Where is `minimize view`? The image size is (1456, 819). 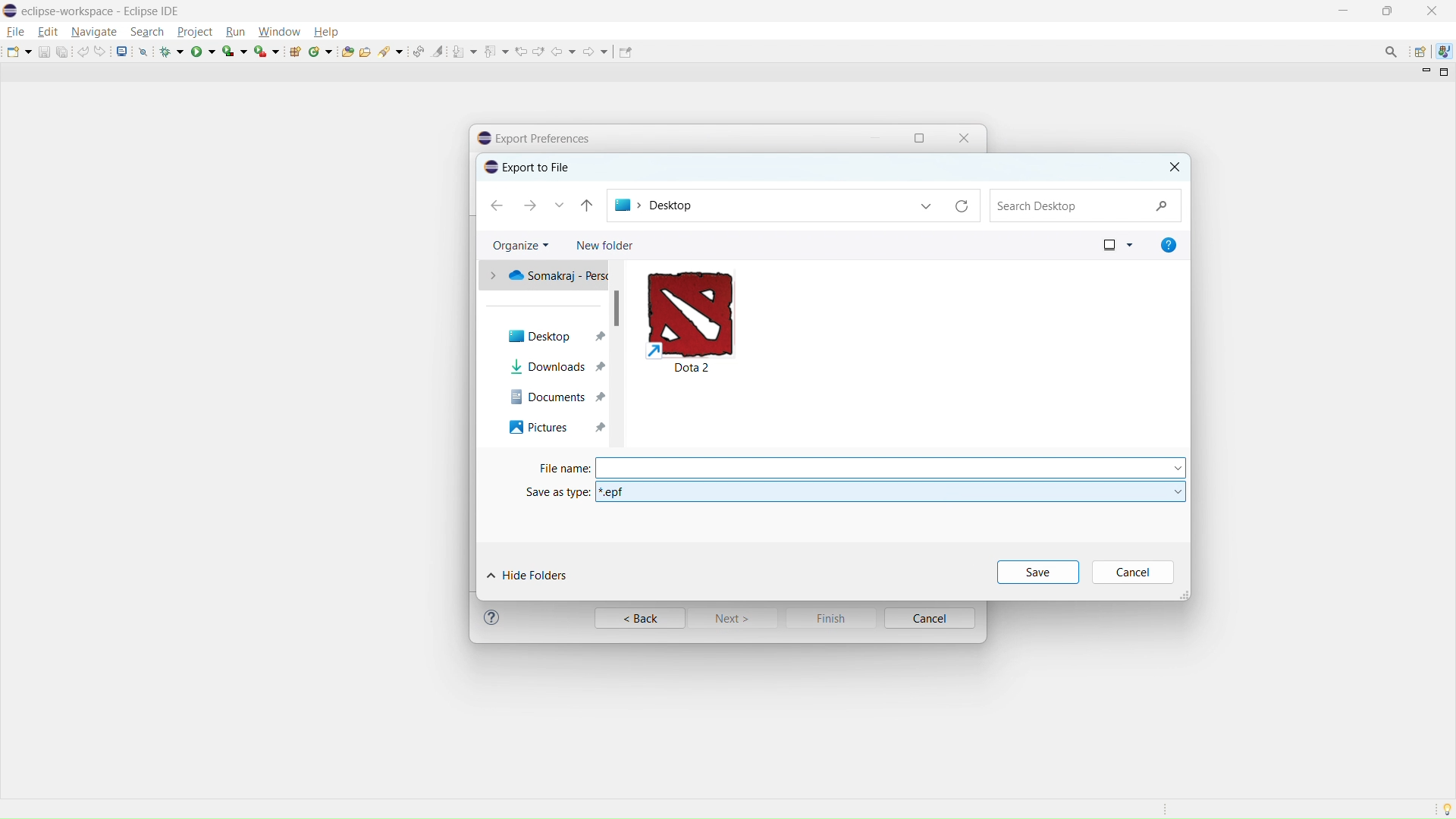 minimize view is located at coordinates (1424, 73).